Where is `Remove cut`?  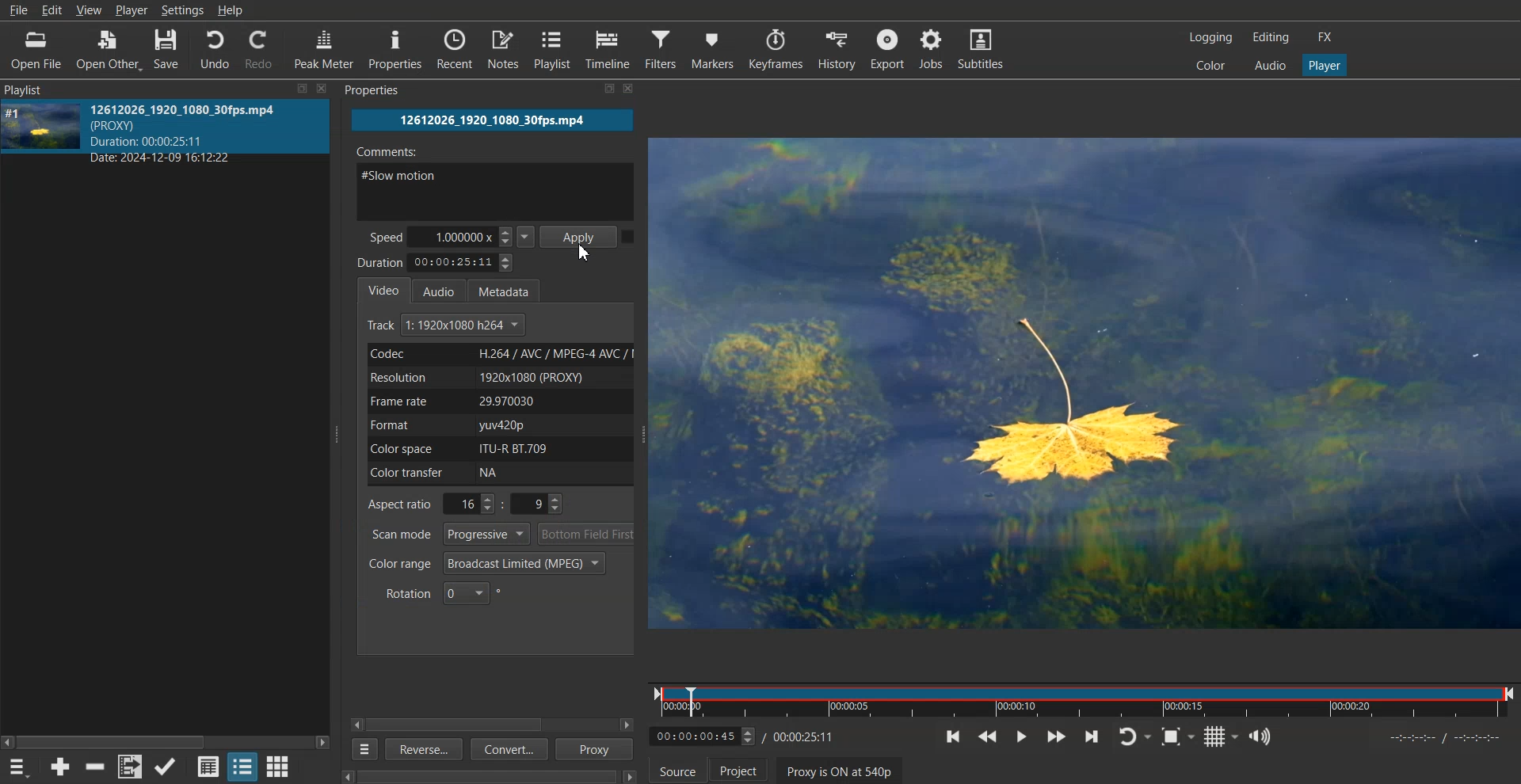 Remove cut is located at coordinates (97, 767).